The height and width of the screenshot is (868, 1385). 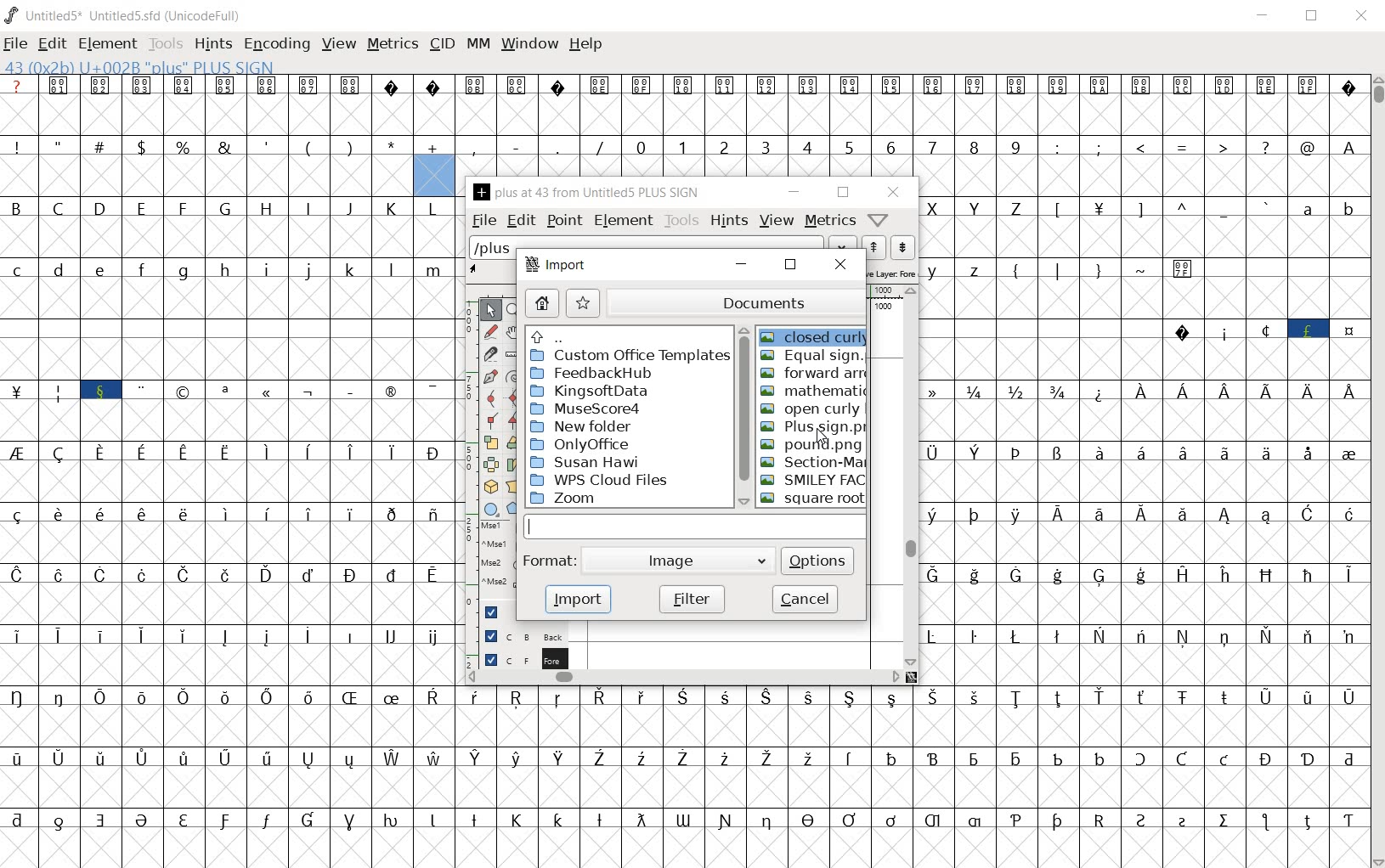 I want to click on element, so click(x=105, y=41).